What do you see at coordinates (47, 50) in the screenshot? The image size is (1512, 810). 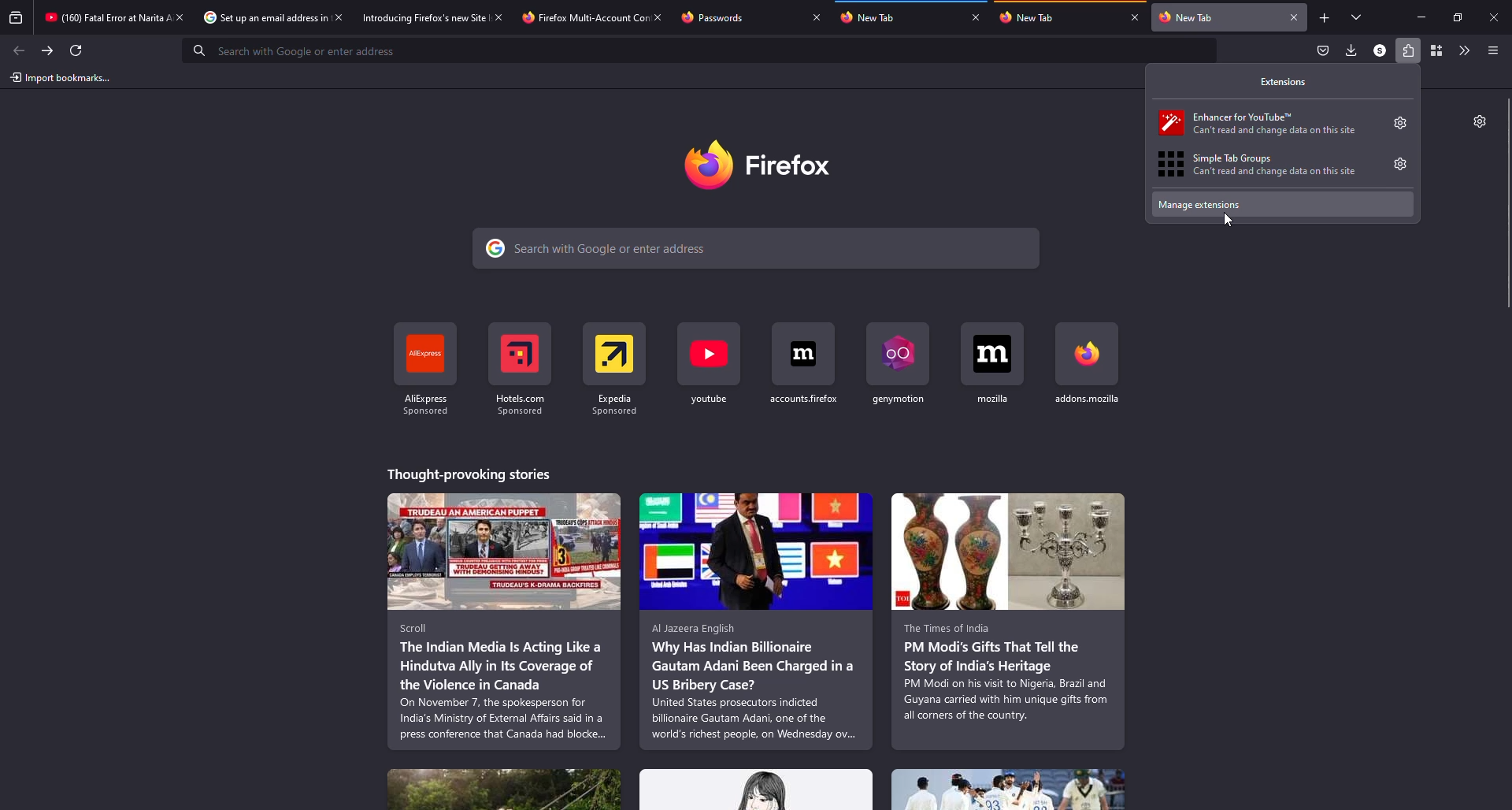 I see `forward` at bounding box center [47, 50].